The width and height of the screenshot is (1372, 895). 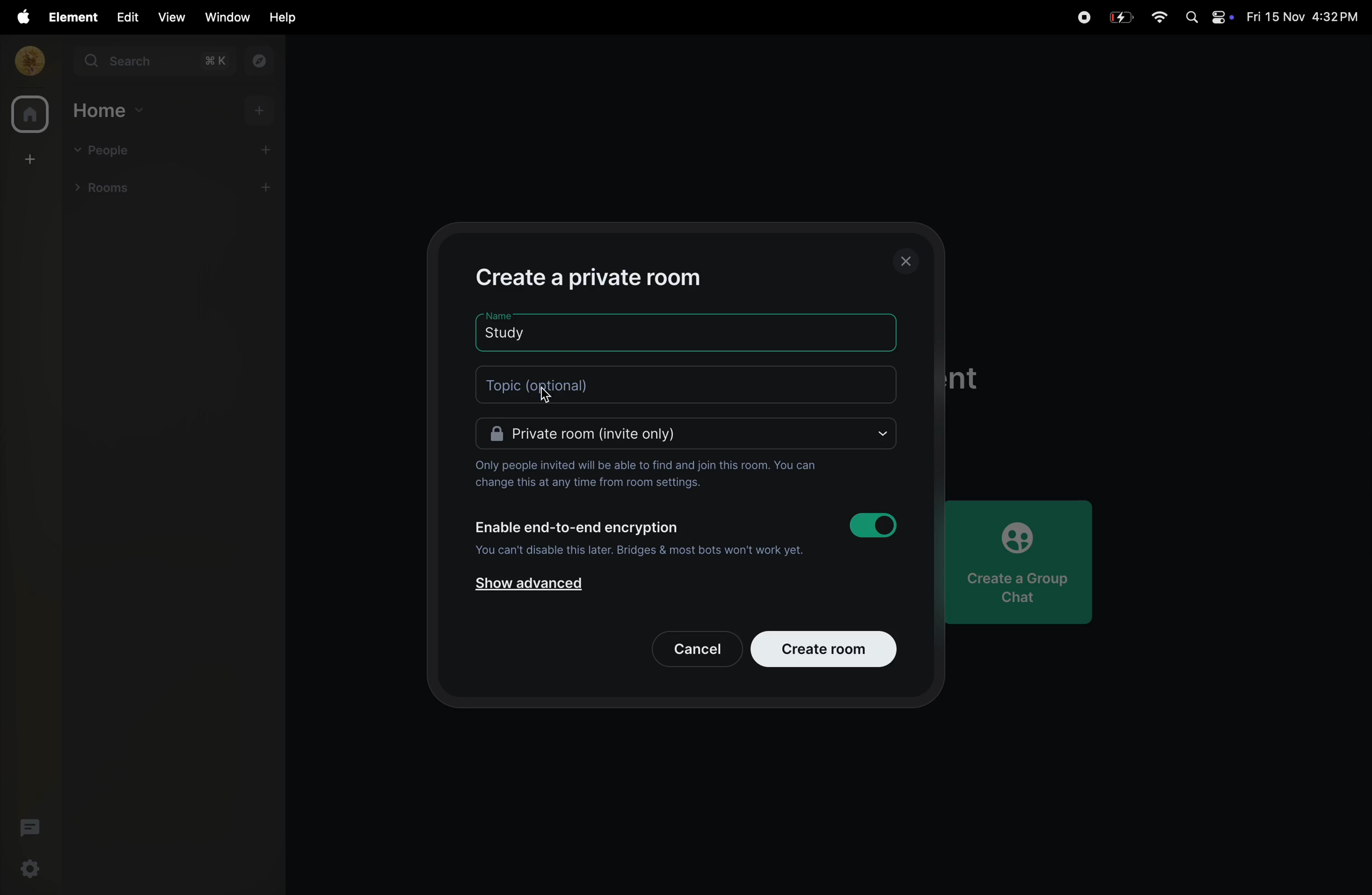 I want to click on battery, so click(x=1122, y=16).